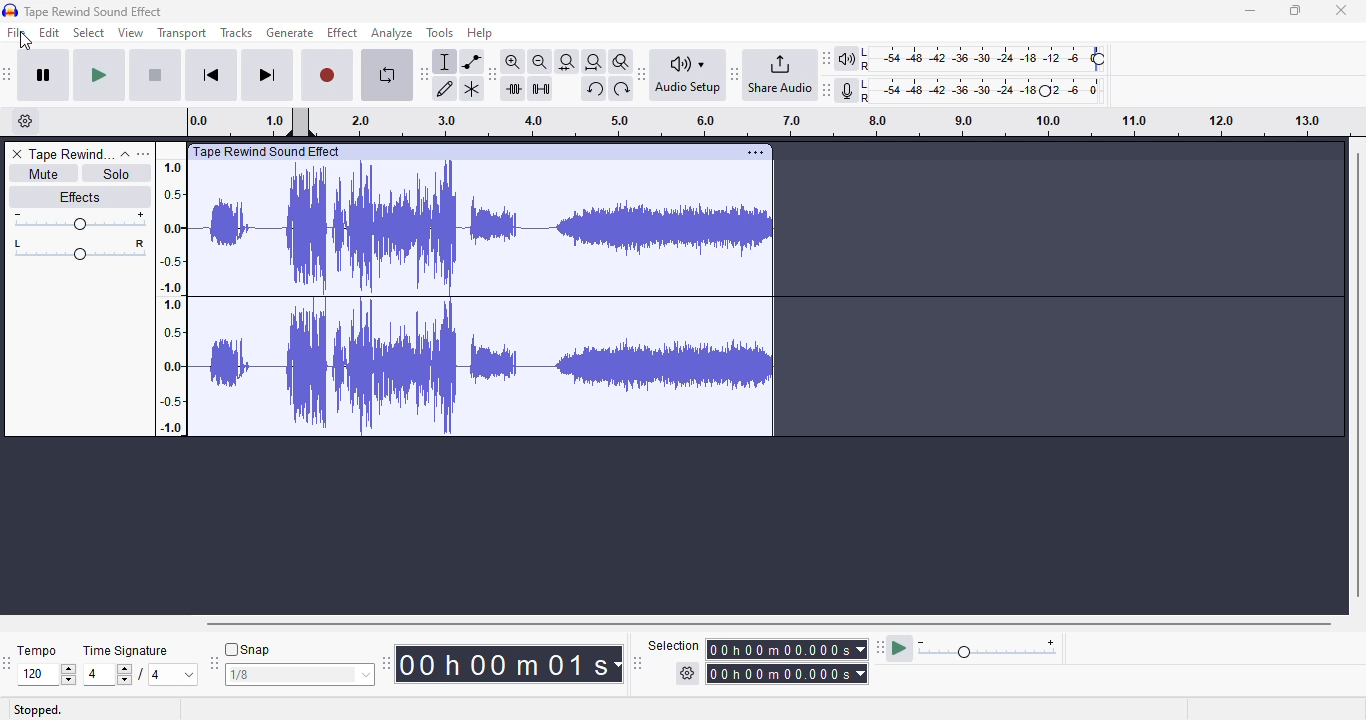  What do you see at coordinates (1249, 11) in the screenshot?
I see `minimize` at bounding box center [1249, 11].